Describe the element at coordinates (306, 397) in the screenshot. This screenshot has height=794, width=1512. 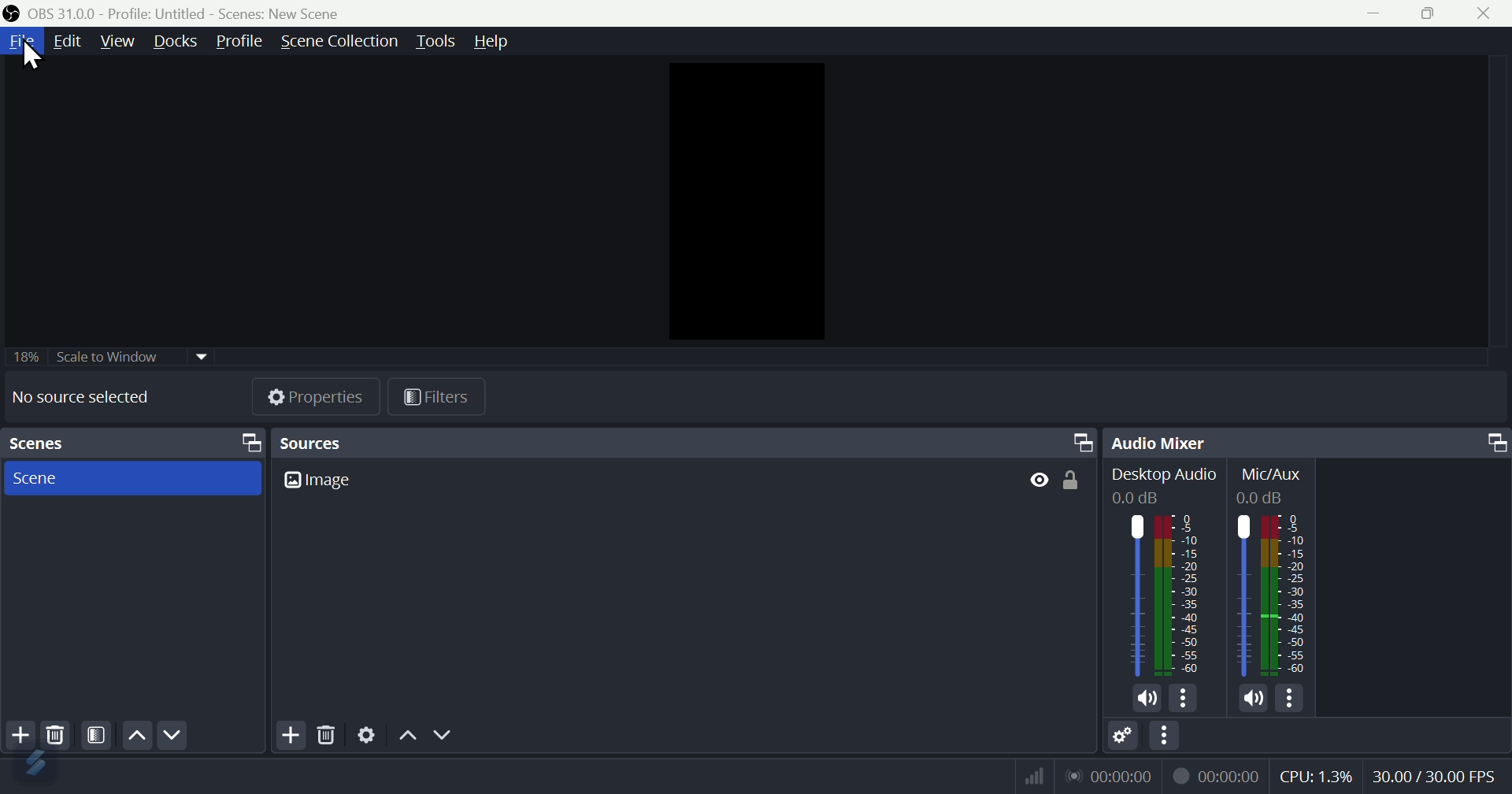
I see `Properties` at that location.